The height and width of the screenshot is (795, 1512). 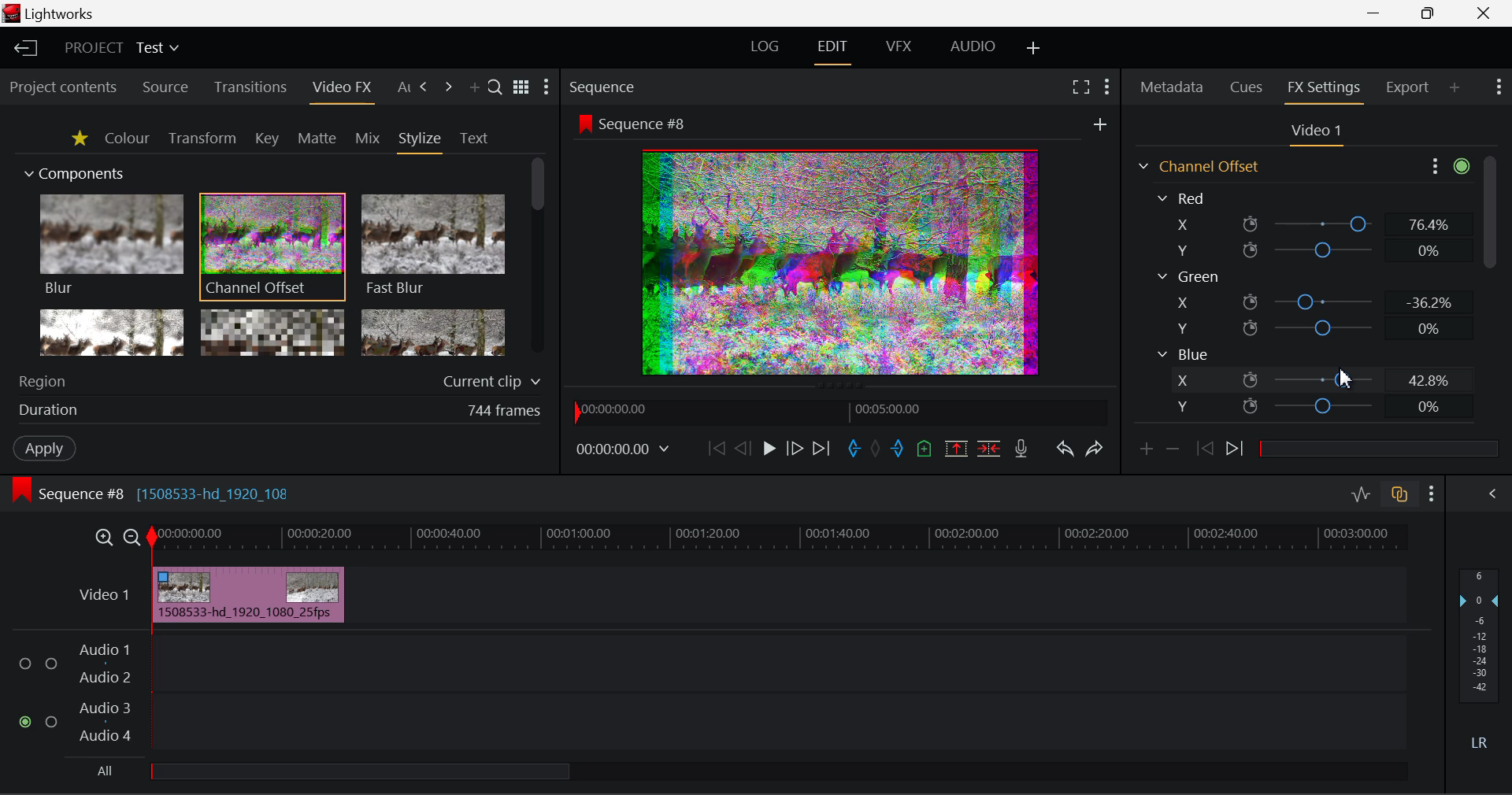 I want to click on Show Settings, so click(x=1431, y=494).